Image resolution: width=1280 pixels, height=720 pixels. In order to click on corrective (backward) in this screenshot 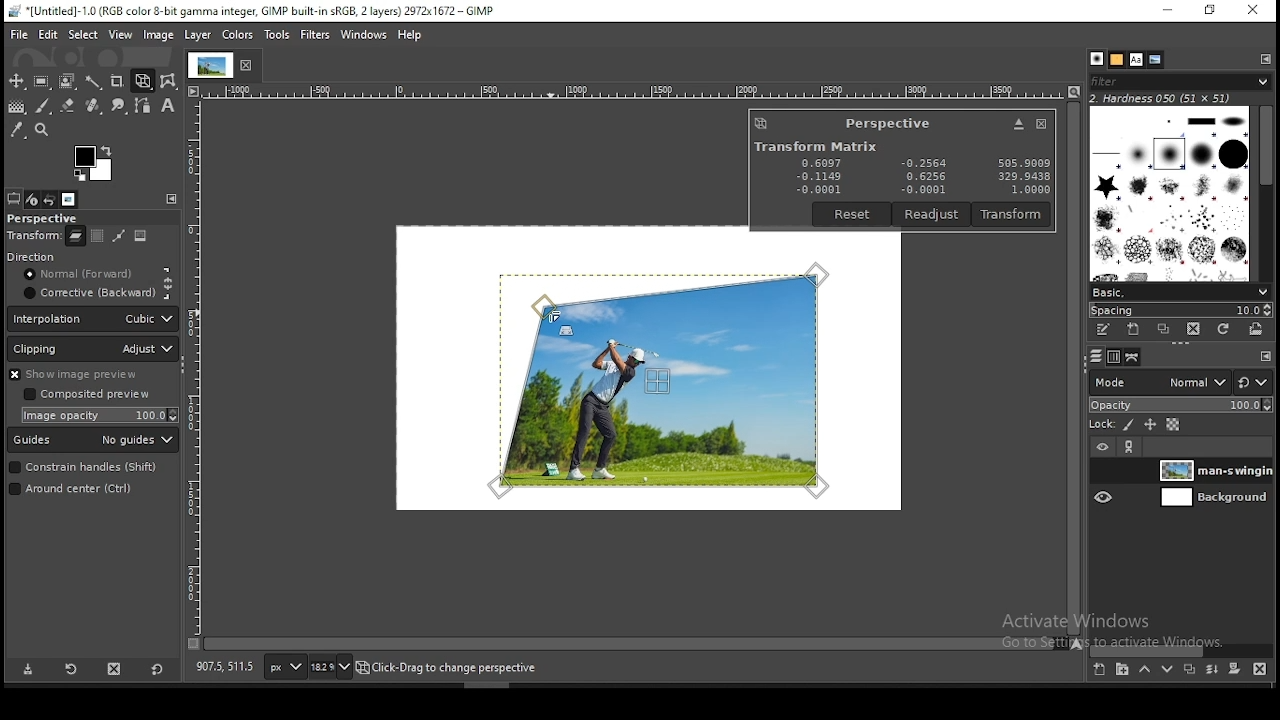, I will do `click(87, 295)`.